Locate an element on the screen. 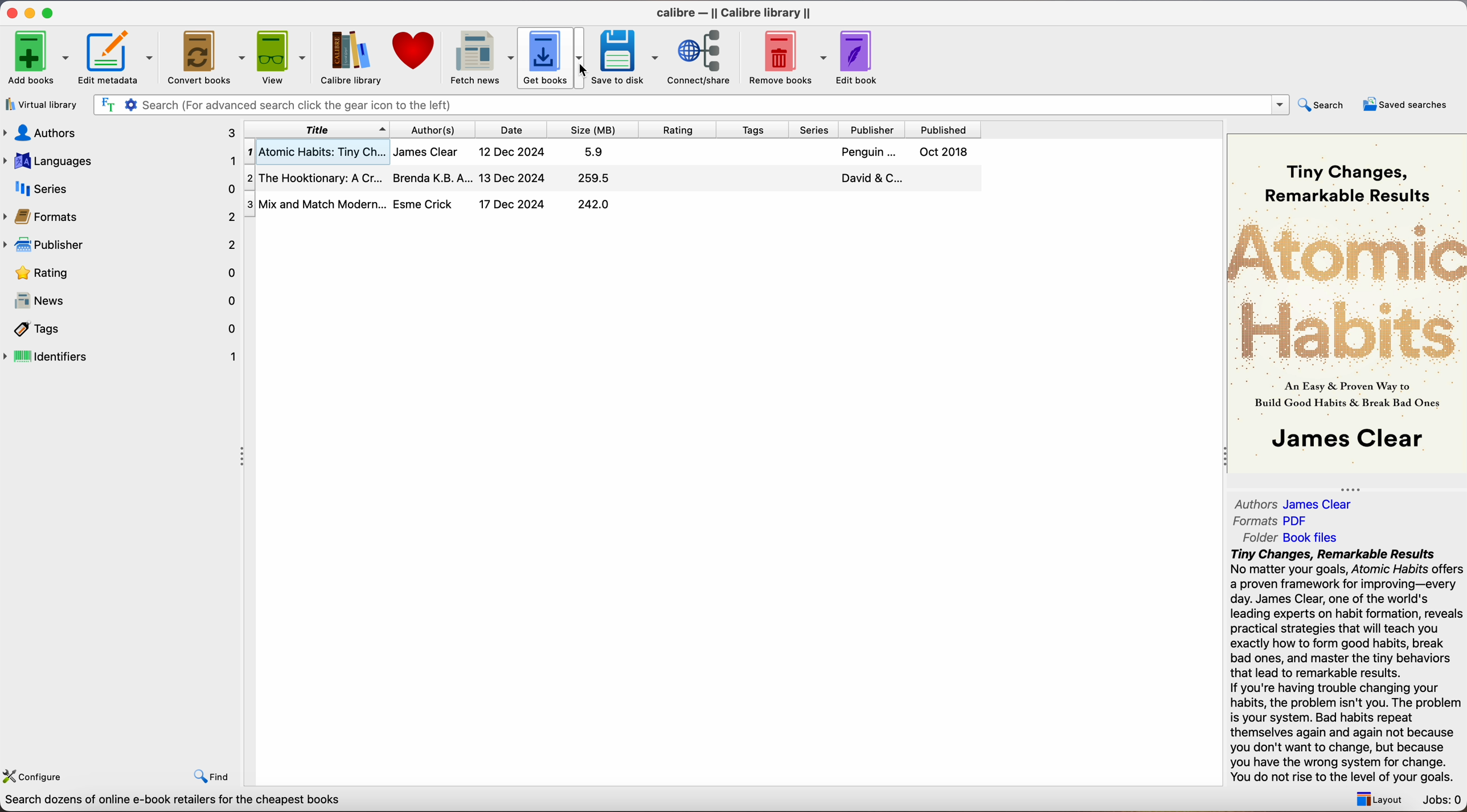  series is located at coordinates (819, 130).